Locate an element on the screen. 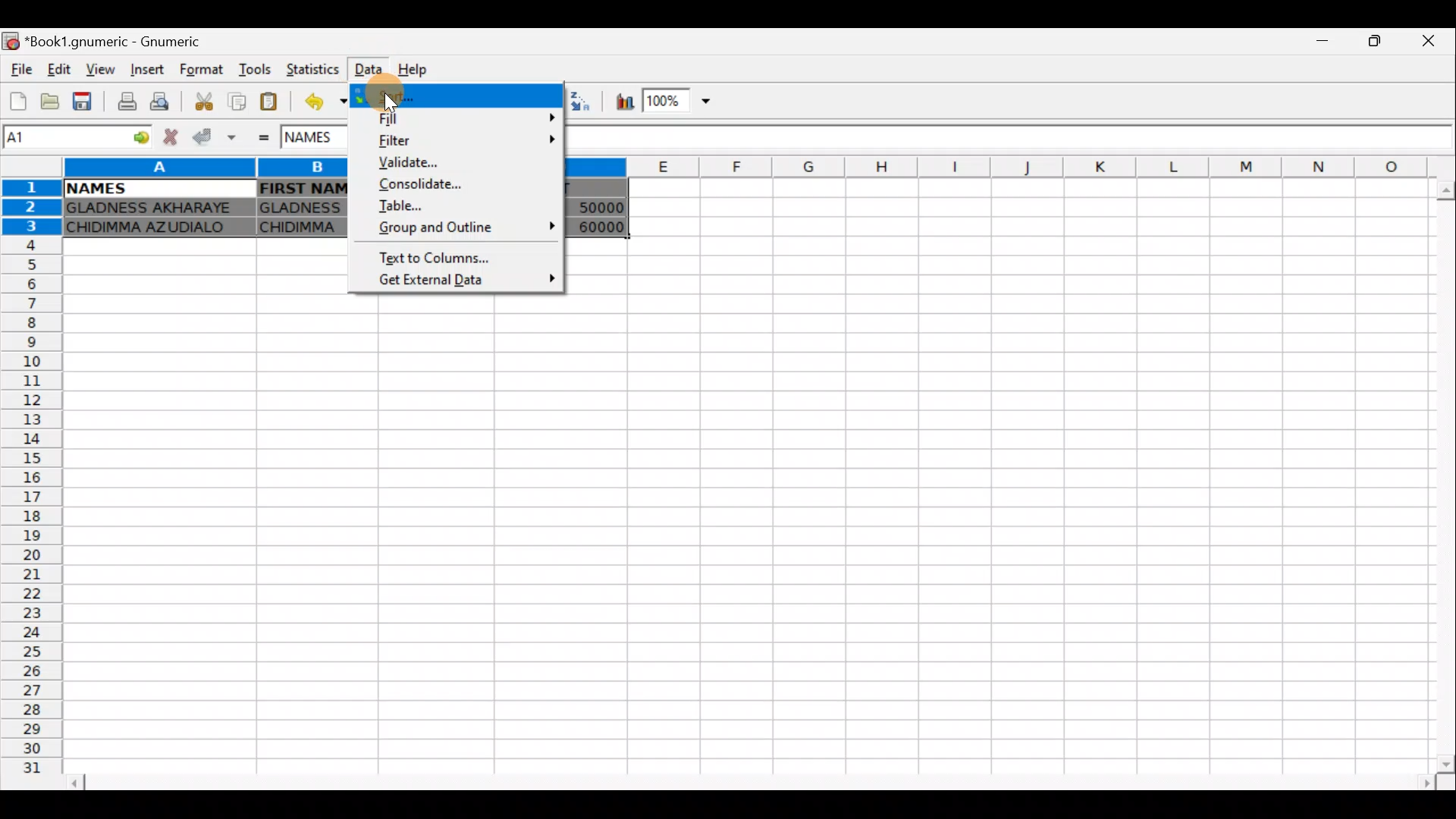 The height and width of the screenshot is (819, 1456). Table is located at coordinates (461, 208).